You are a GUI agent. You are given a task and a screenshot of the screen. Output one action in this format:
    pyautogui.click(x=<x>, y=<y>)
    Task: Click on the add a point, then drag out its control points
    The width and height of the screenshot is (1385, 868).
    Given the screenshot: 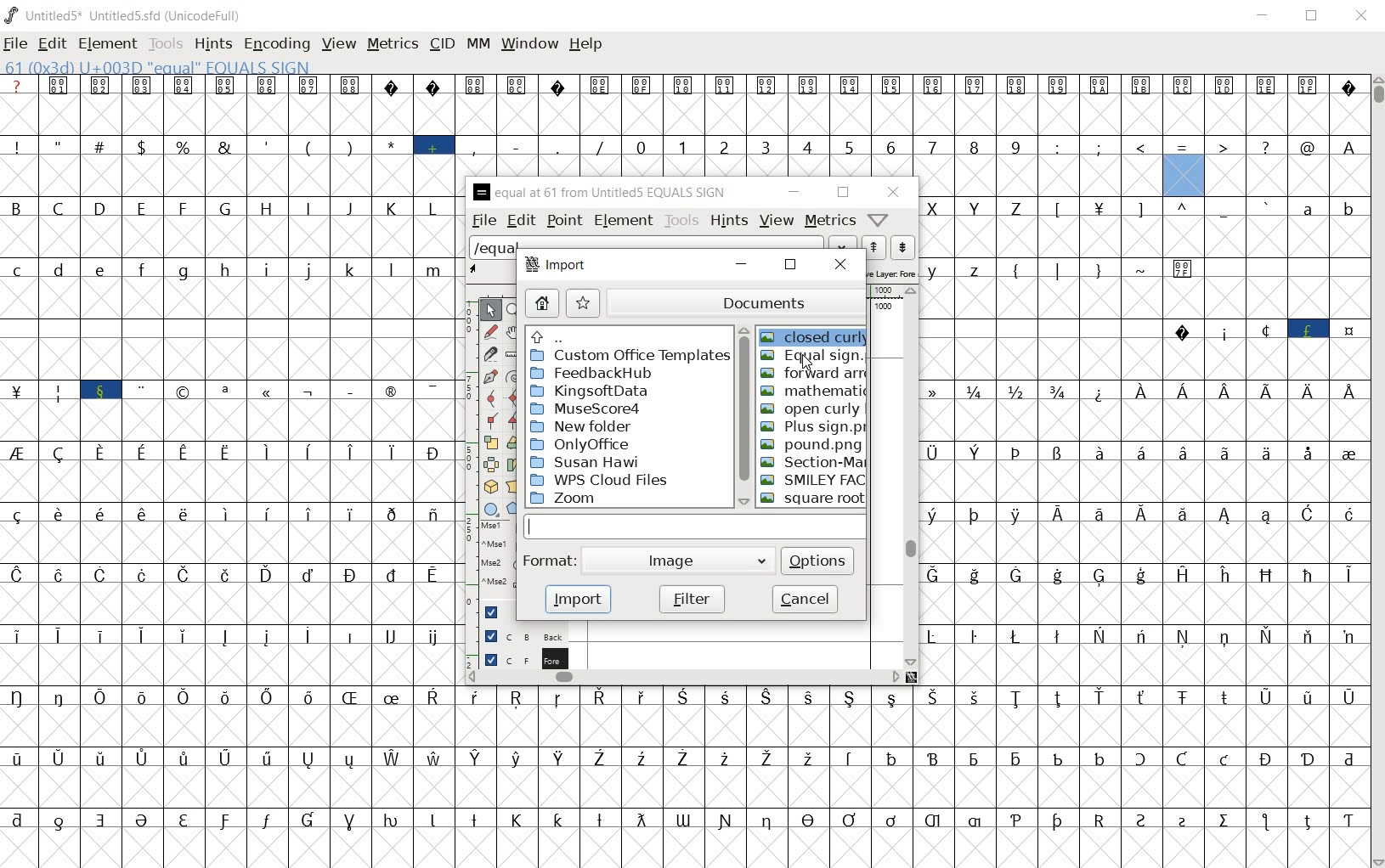 What is the action you would take?
    pyautogui.click(x=489, y=377)
    